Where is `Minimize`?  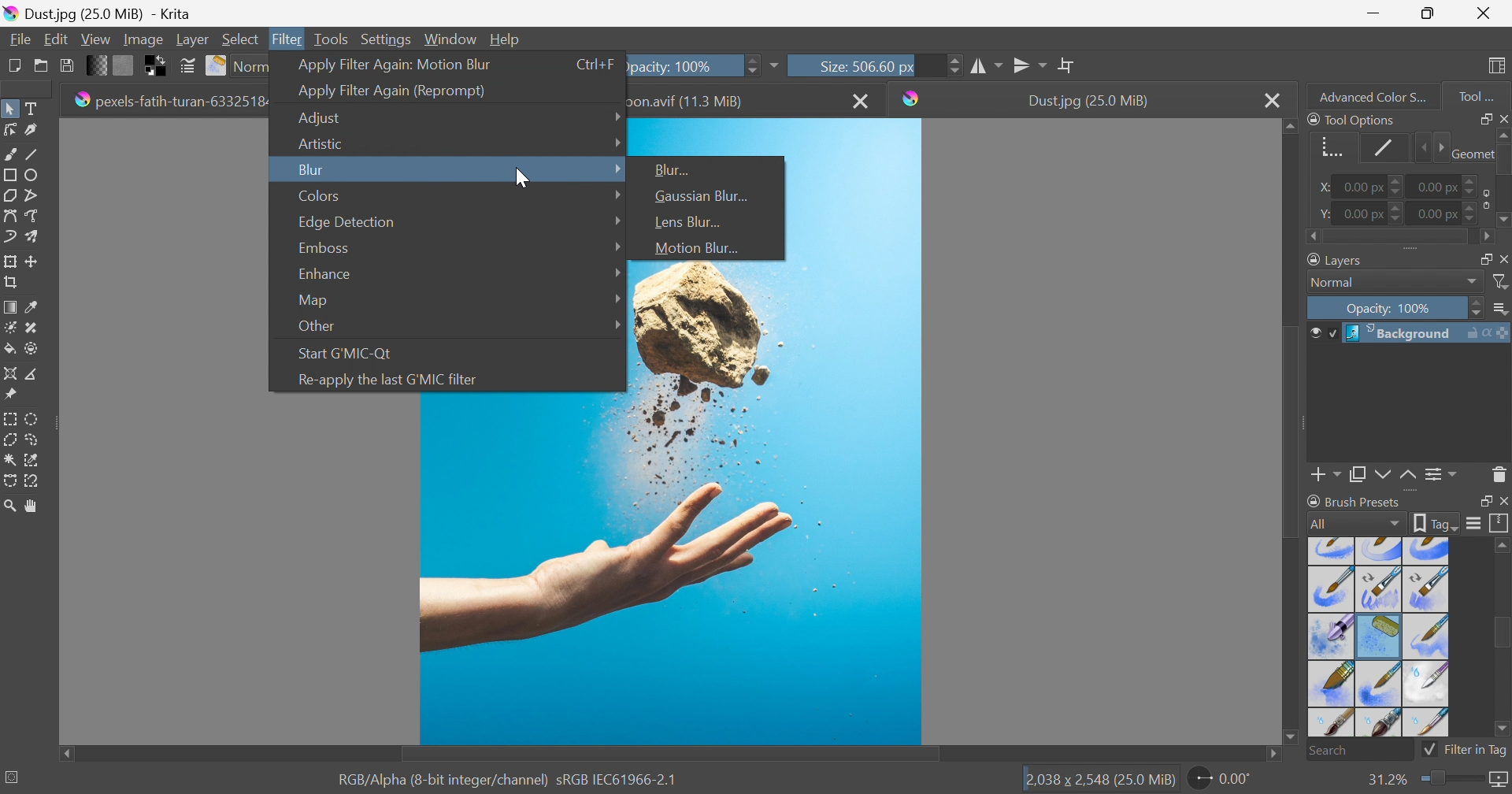
Minimize is located at coordinates (1373, 12).